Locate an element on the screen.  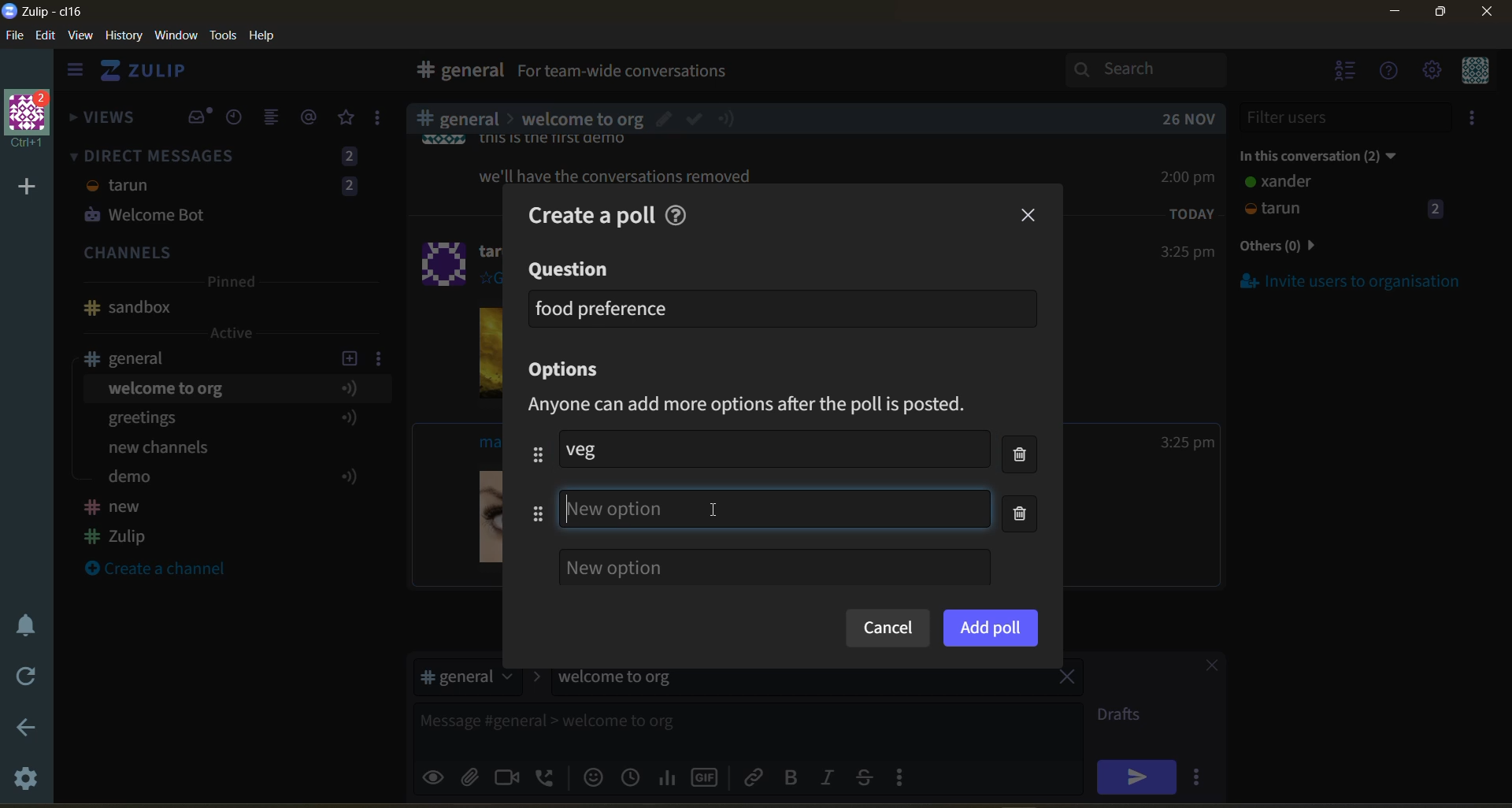
direct messages is located at coordinates (228, 188).